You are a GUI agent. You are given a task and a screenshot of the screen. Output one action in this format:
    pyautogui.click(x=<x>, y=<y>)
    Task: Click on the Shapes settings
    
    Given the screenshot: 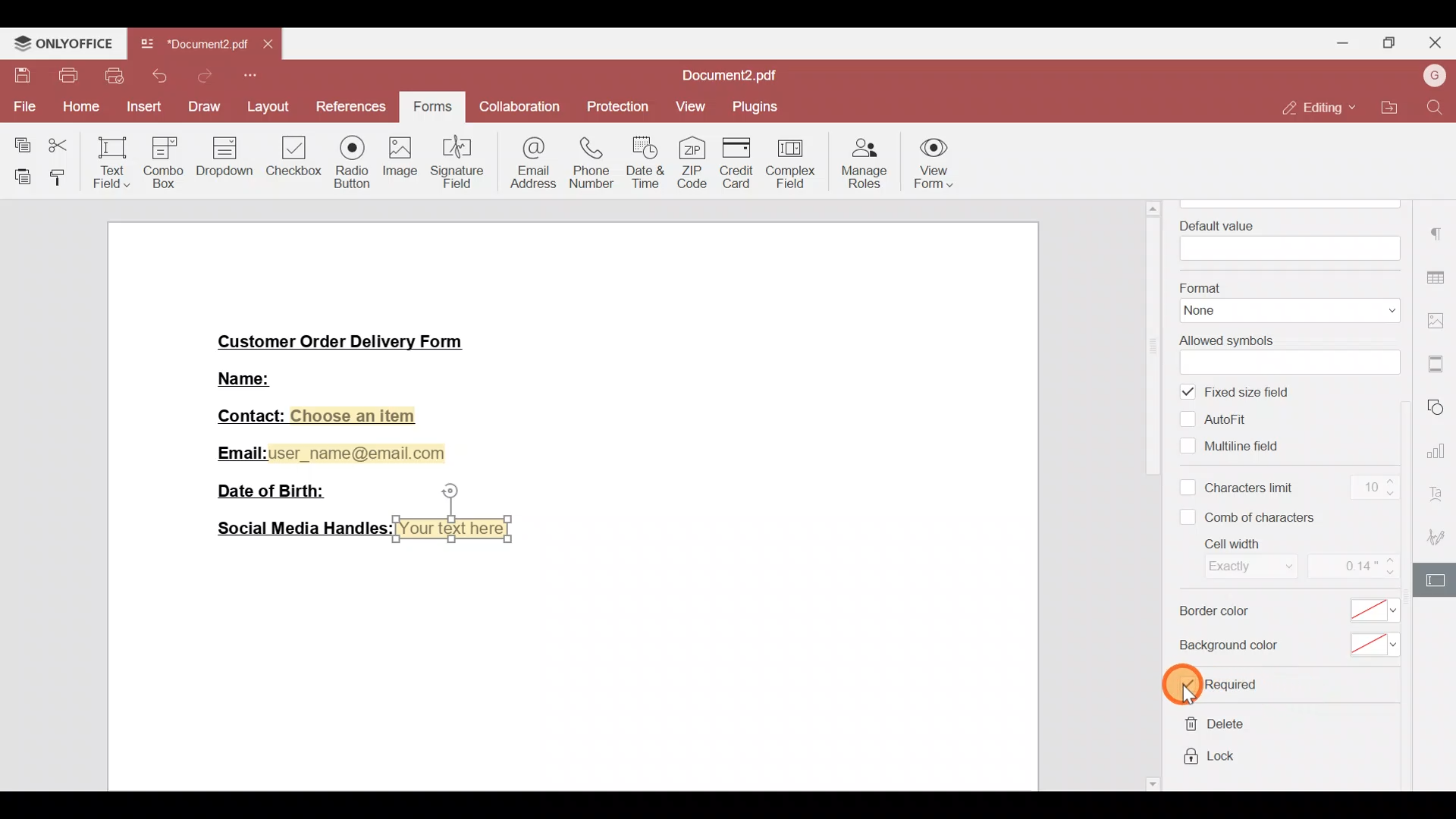 What is the action you would take?
    pyautogui.click(x=1441, y=407)
    